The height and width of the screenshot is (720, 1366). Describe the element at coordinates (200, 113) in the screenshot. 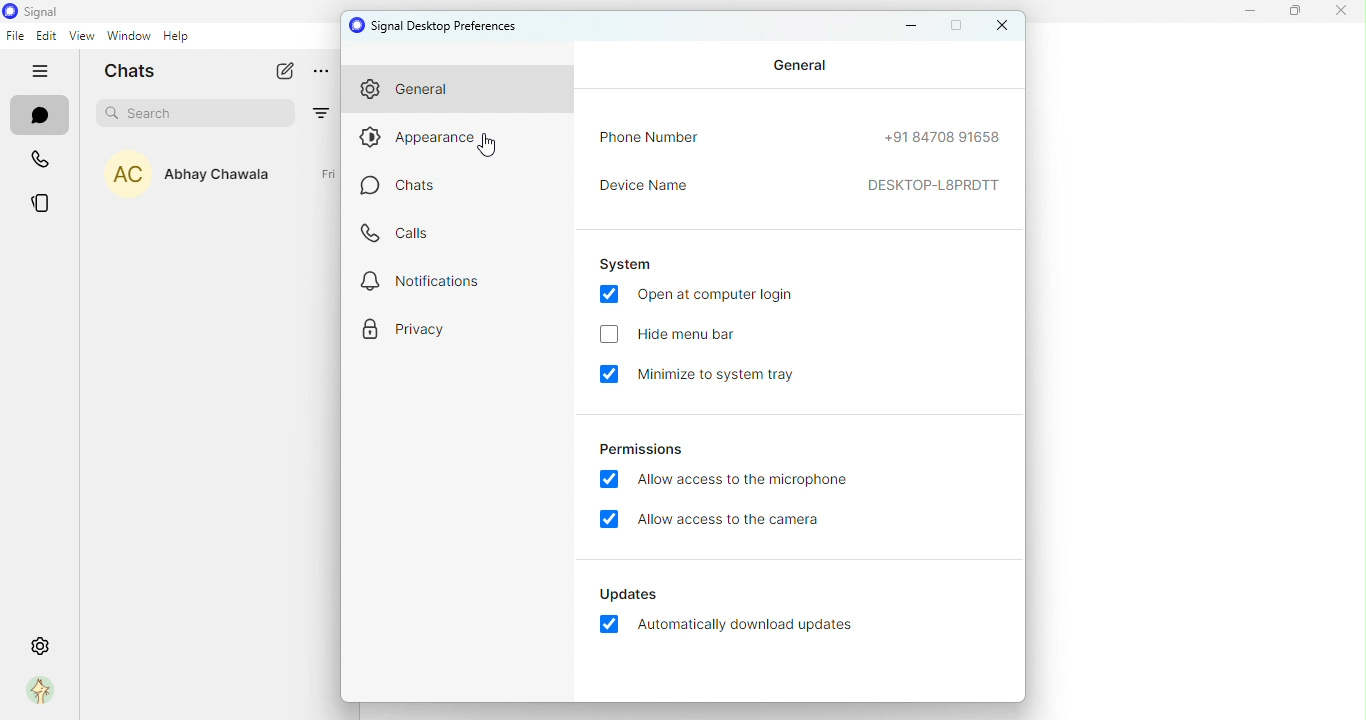

I see `search bar` at that location.